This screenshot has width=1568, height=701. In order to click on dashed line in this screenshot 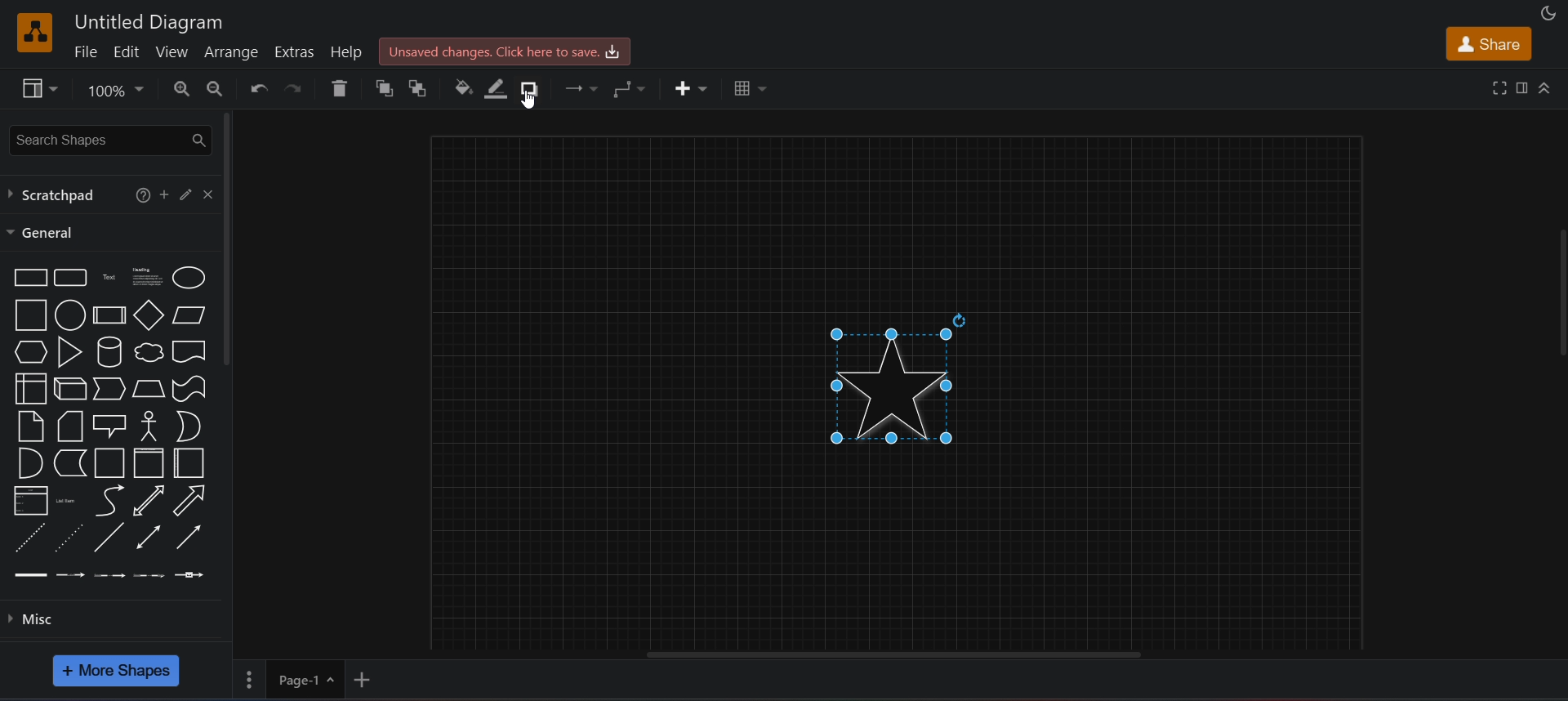, I will do `click(29, 536)`.